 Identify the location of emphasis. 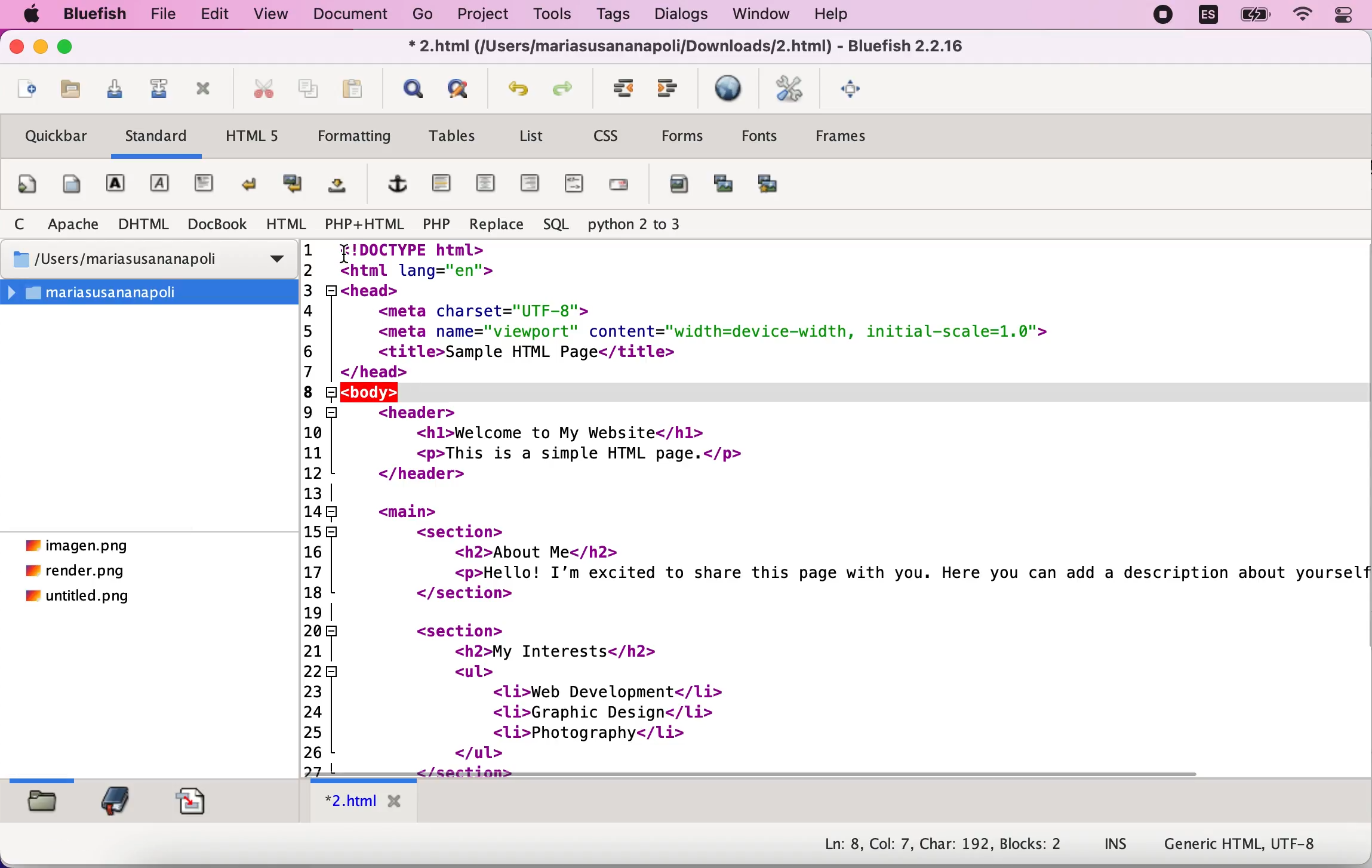
(159, 184).